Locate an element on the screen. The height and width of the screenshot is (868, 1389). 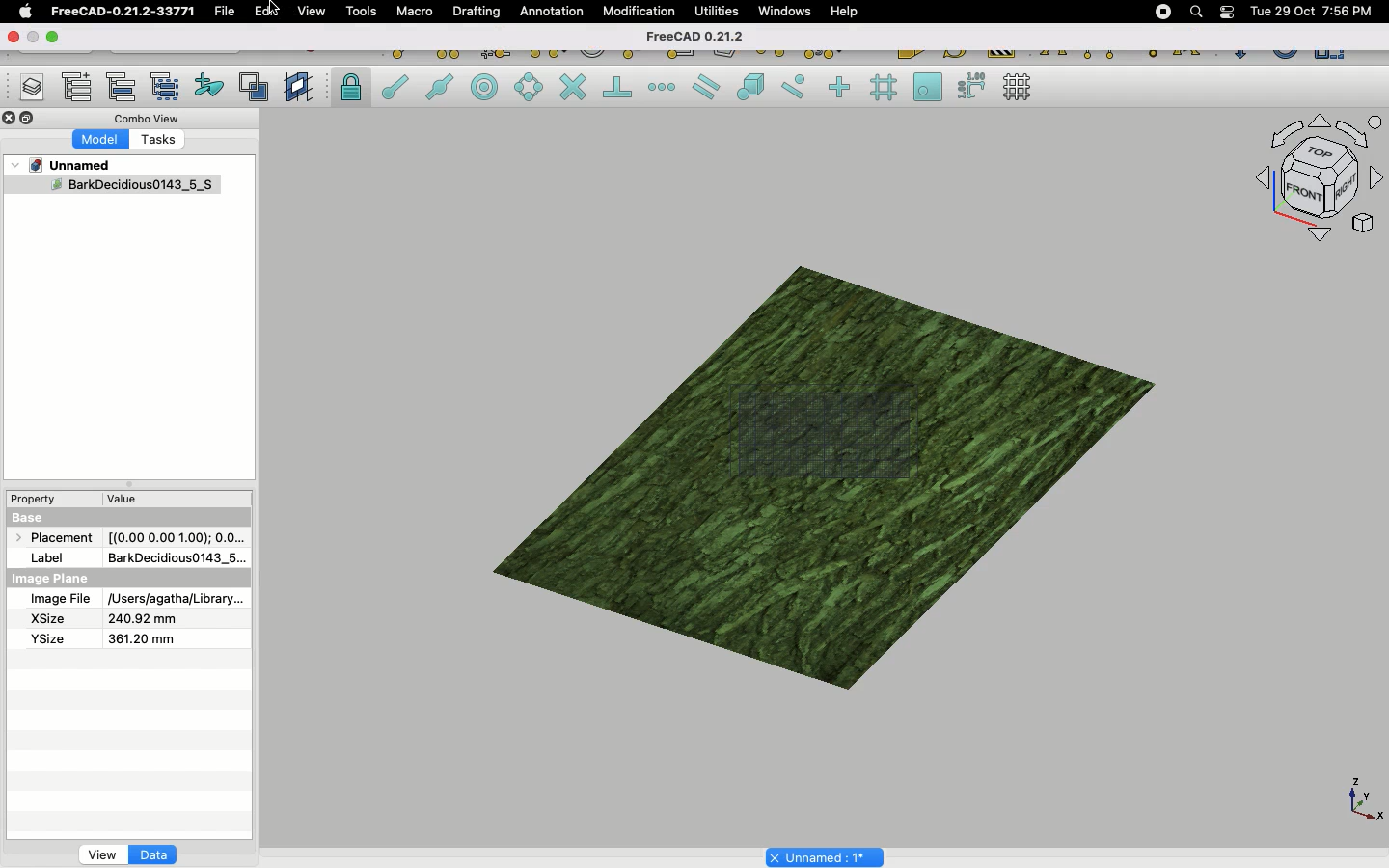
Object selected is located at coordinates (110, 188).